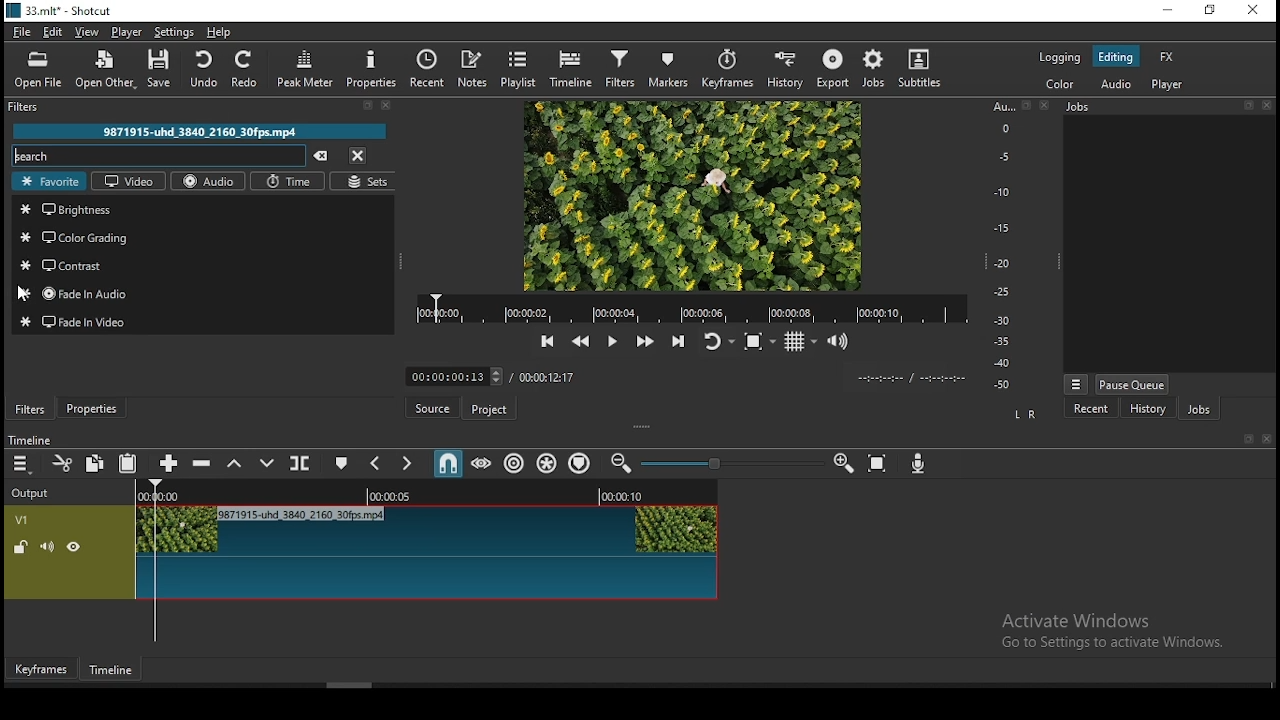 This screenshot has width=1280, height=720. What do you see at coordinates (1171, 11) in the screenshot?
I see `minimize` at bounding box center [1171, 11].